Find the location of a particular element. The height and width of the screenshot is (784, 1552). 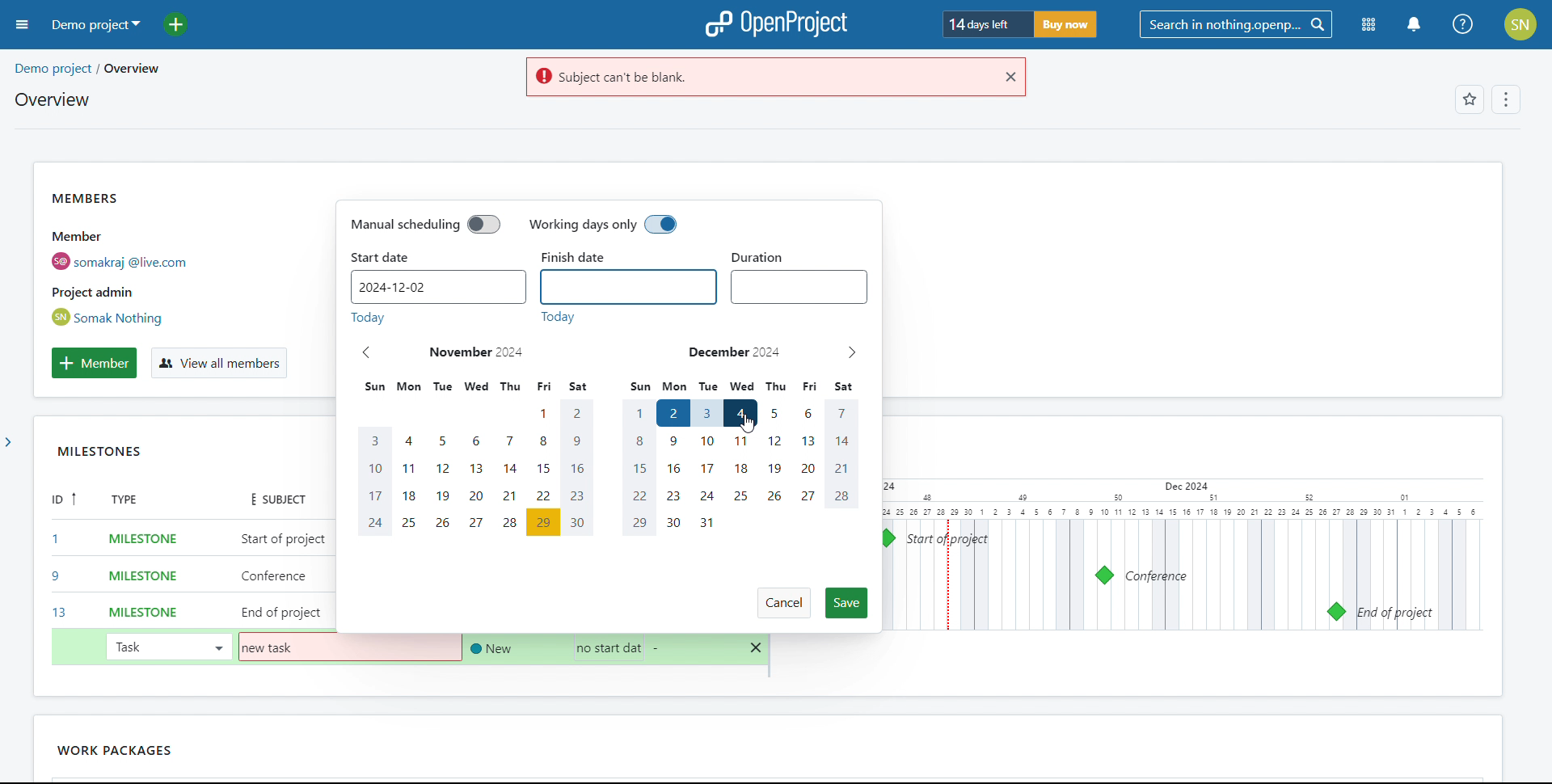

milestone 13 is located at coordinates (1335, 612).